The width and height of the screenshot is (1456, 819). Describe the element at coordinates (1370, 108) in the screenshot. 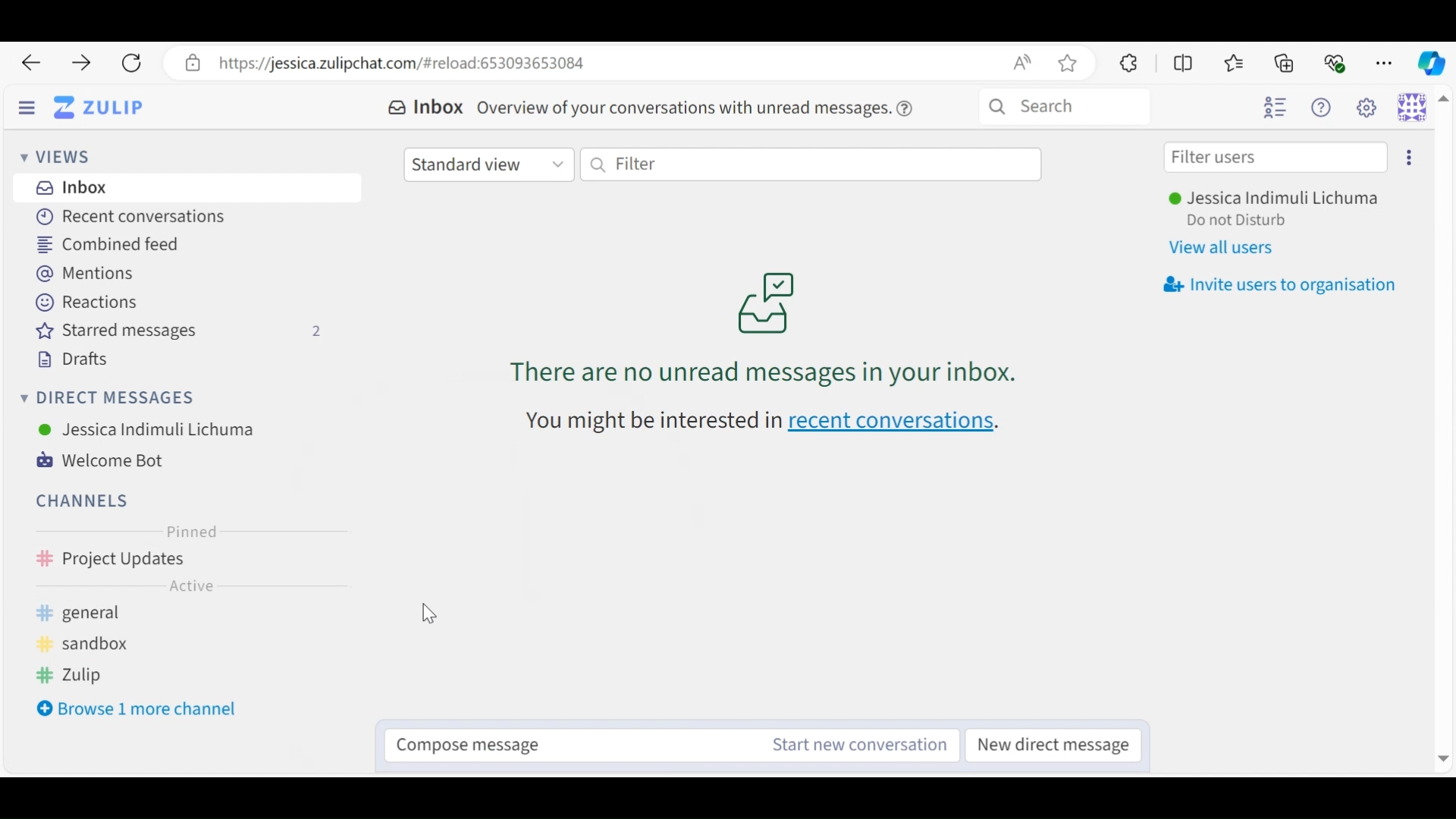

I see `Main menu` at that location.